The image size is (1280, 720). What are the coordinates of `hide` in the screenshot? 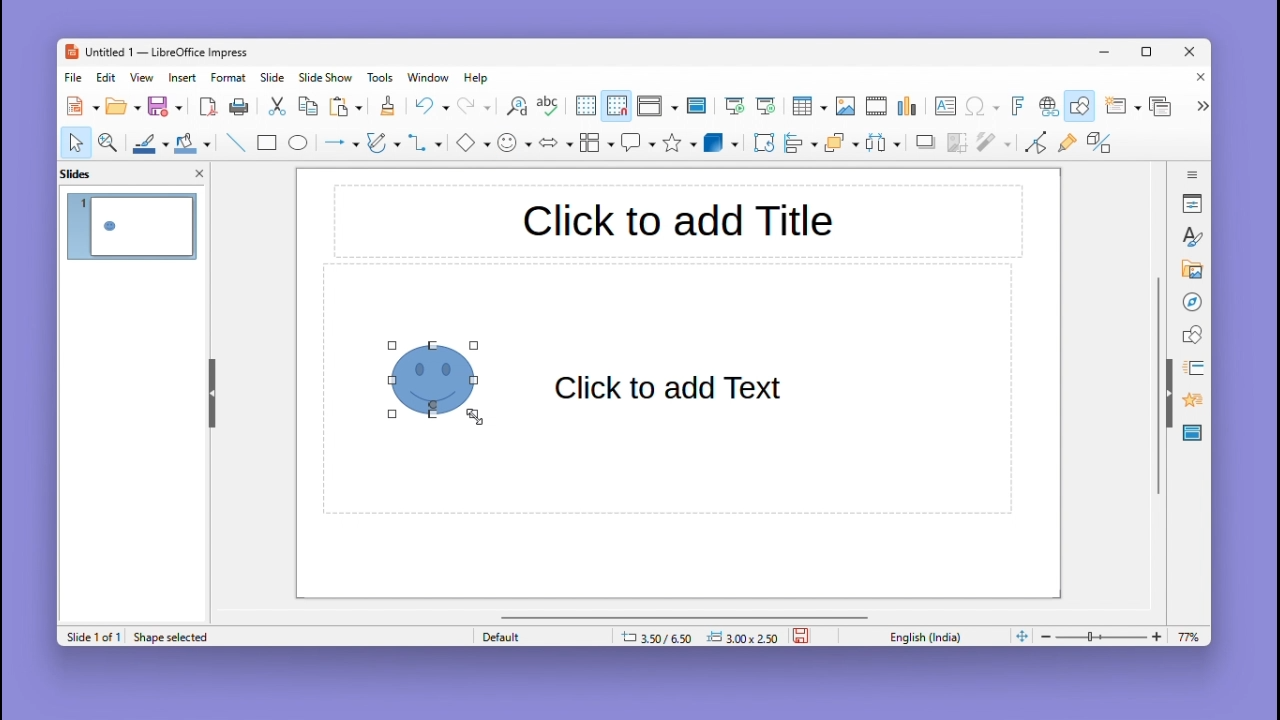 It's located at (210, 389).